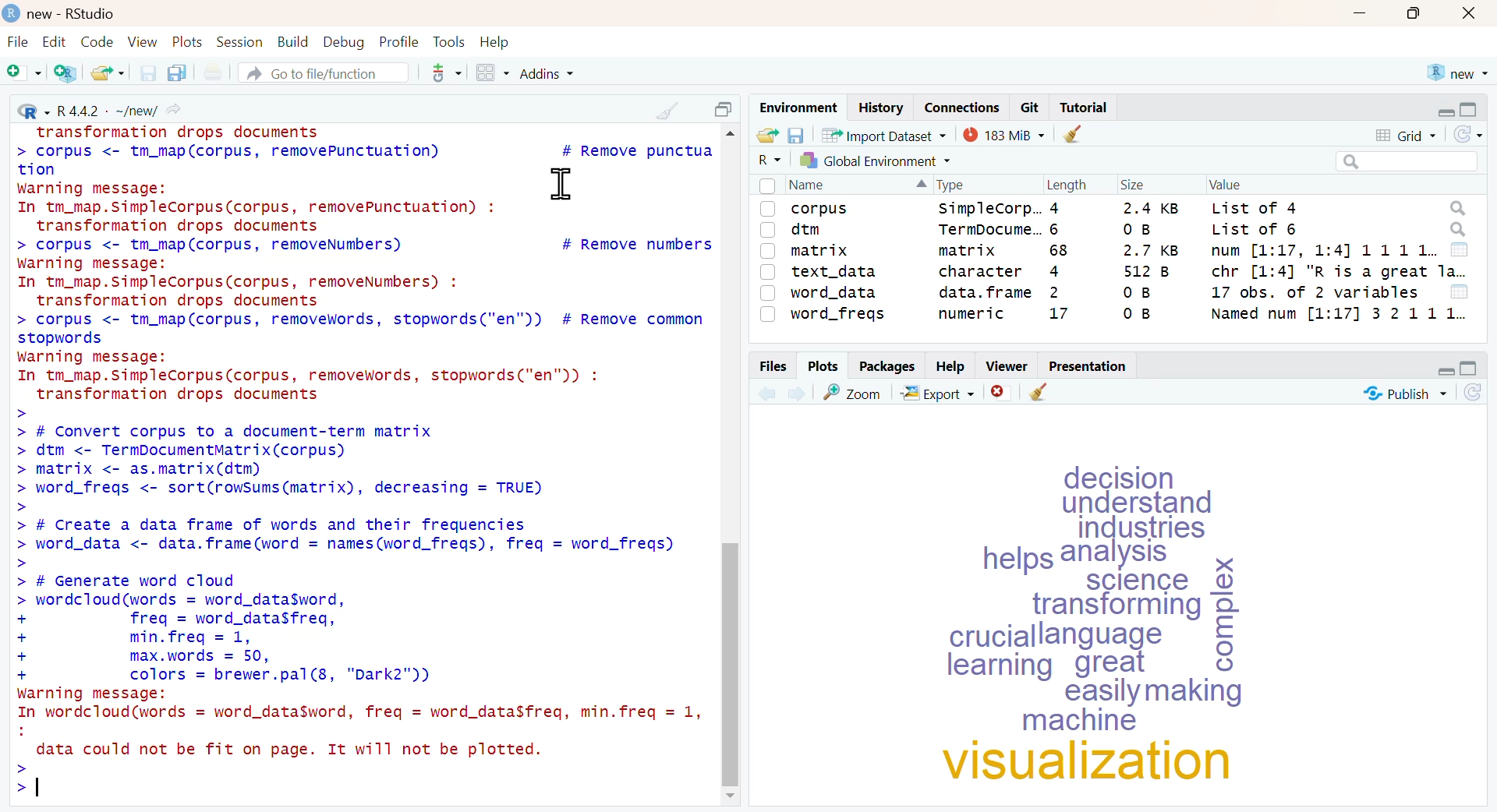 The image size is (1497, 812). I want to click on character, so click(982, 270).